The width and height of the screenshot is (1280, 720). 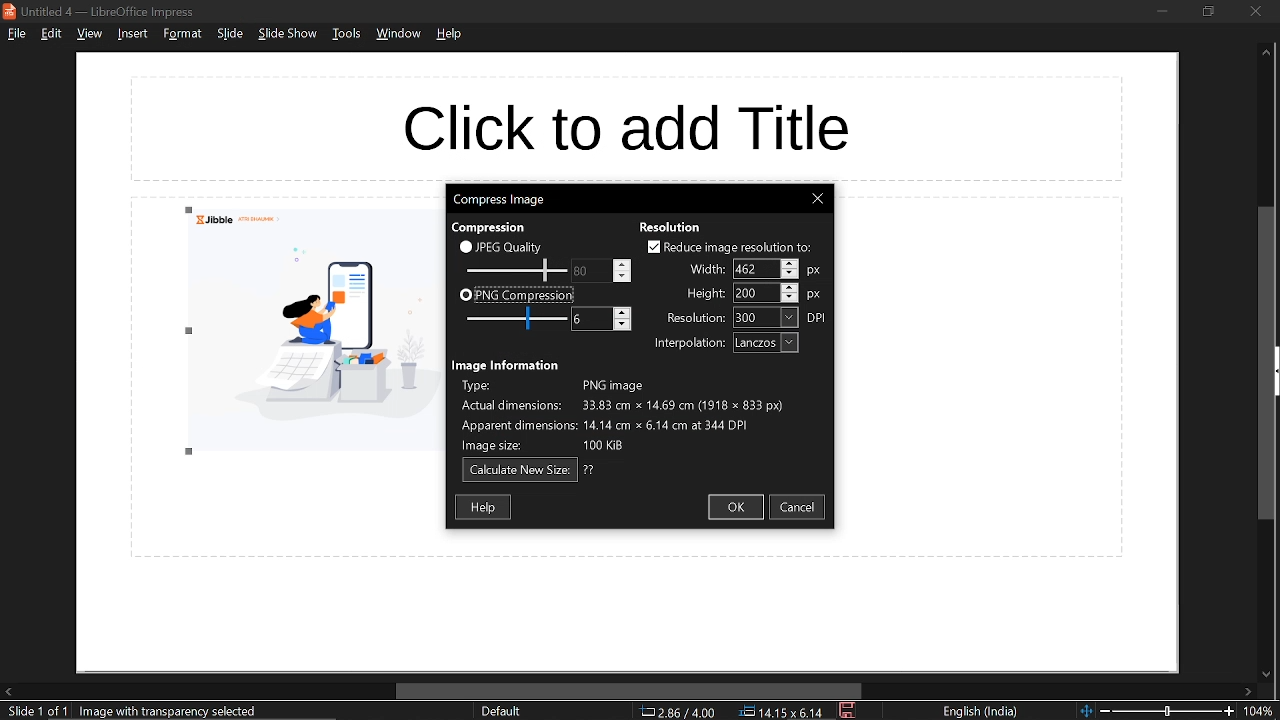 I want to click on decrease jpeg quality, so click(x=621, y=276).